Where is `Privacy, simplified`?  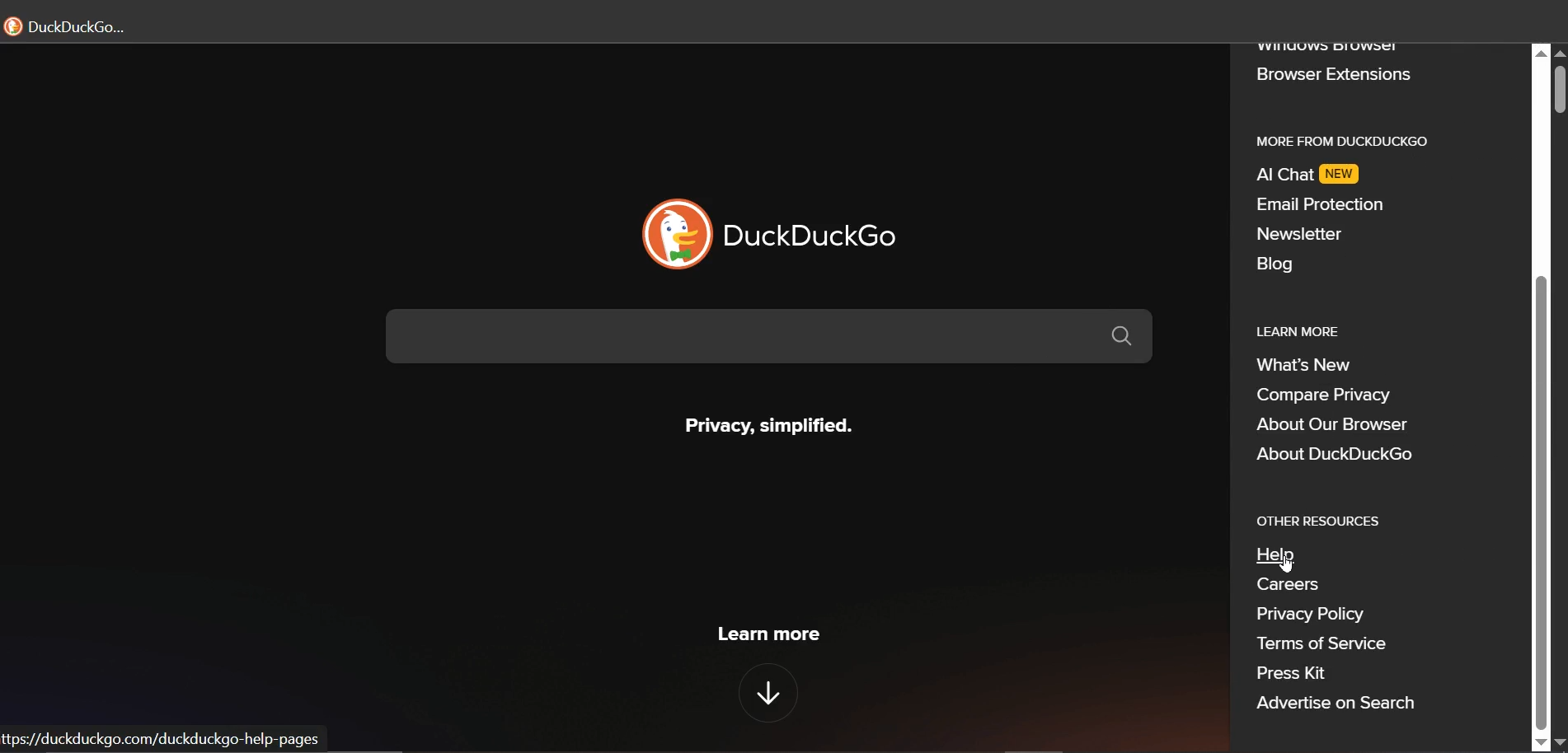 Privacy, simplified is located at coordinates (764, 422).